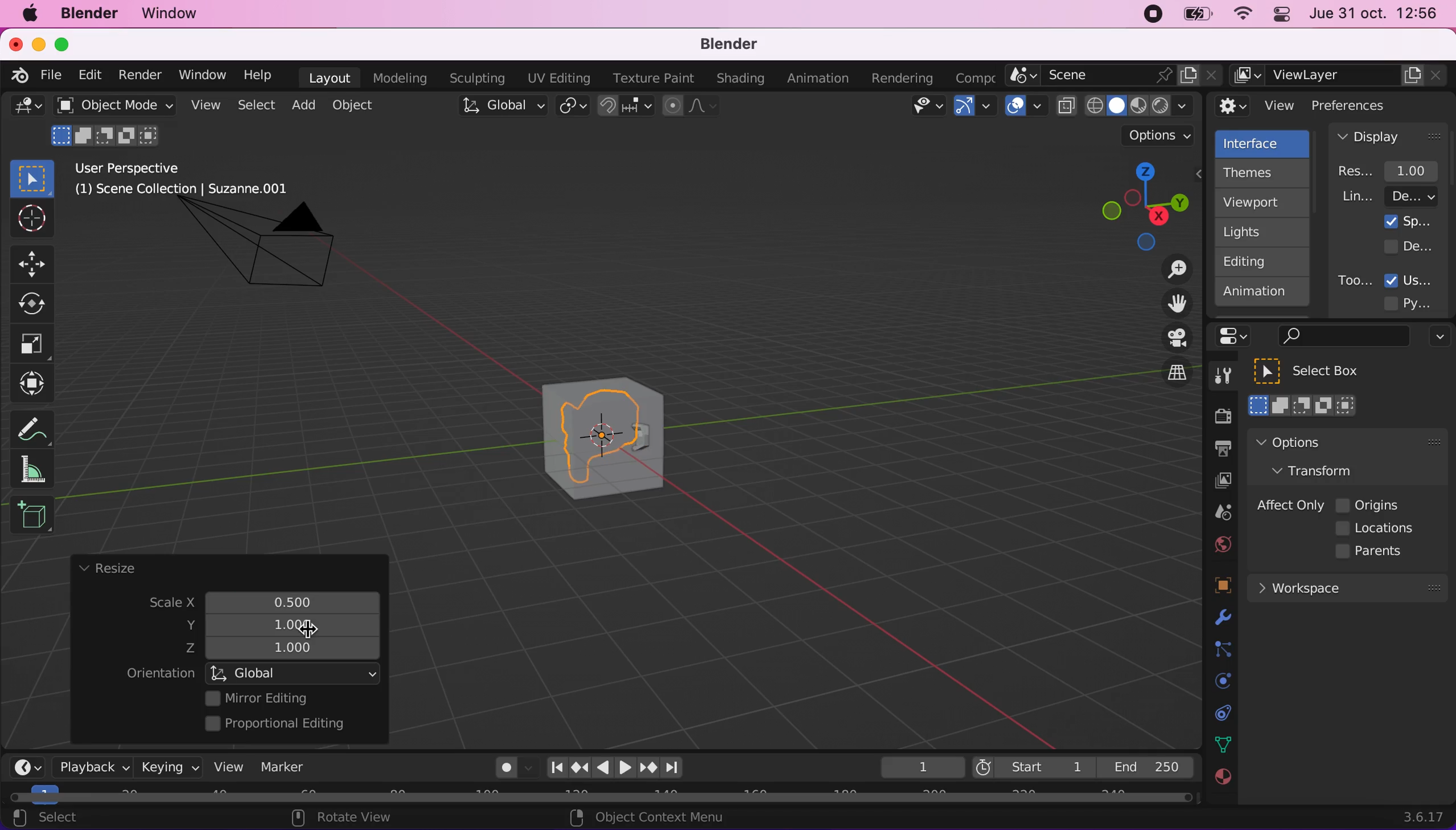 Image resolution: width=1456 pixels, height=830 pixels. I want to click on add, so click(301, 105).